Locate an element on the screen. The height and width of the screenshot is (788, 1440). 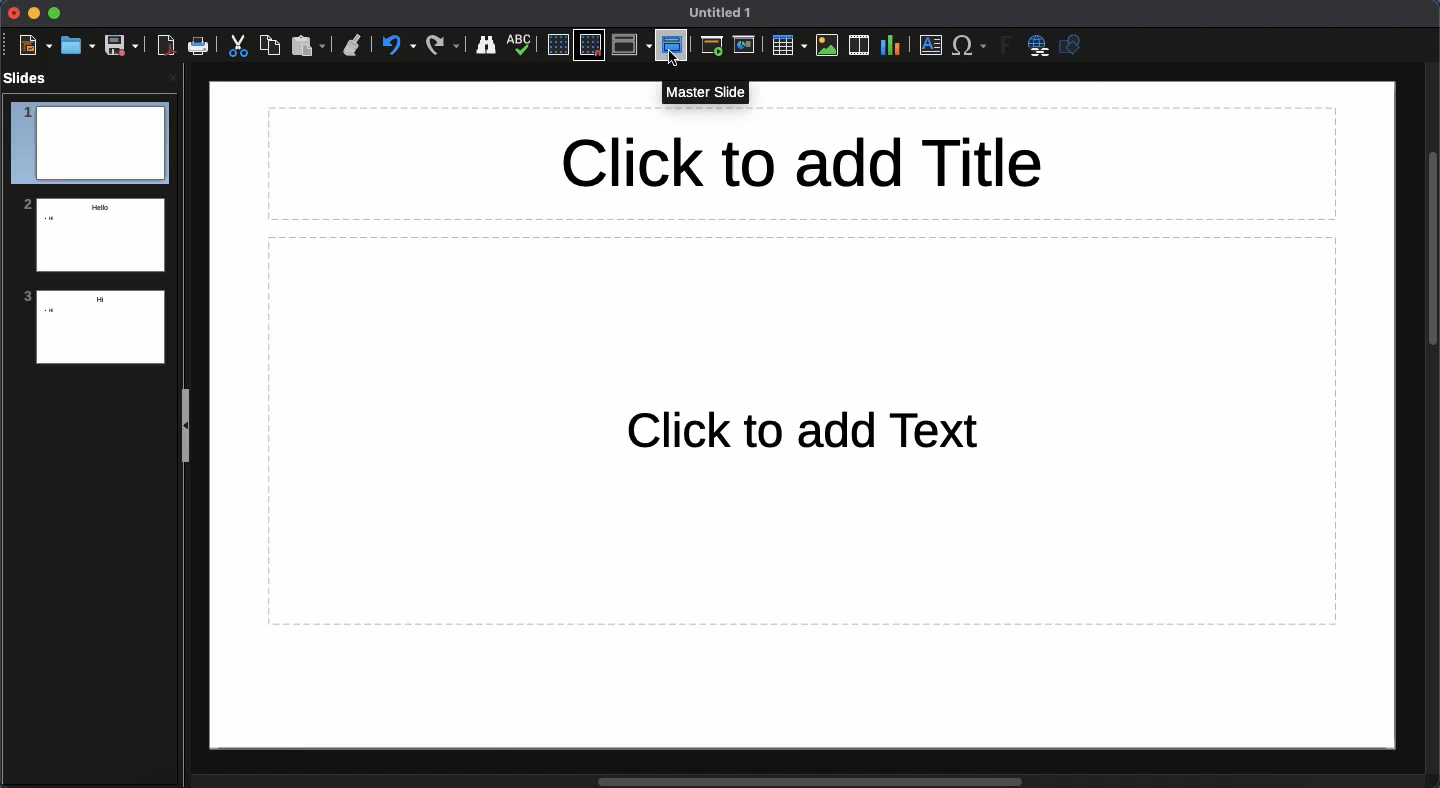
Redo is located at coordinates (444, 45).